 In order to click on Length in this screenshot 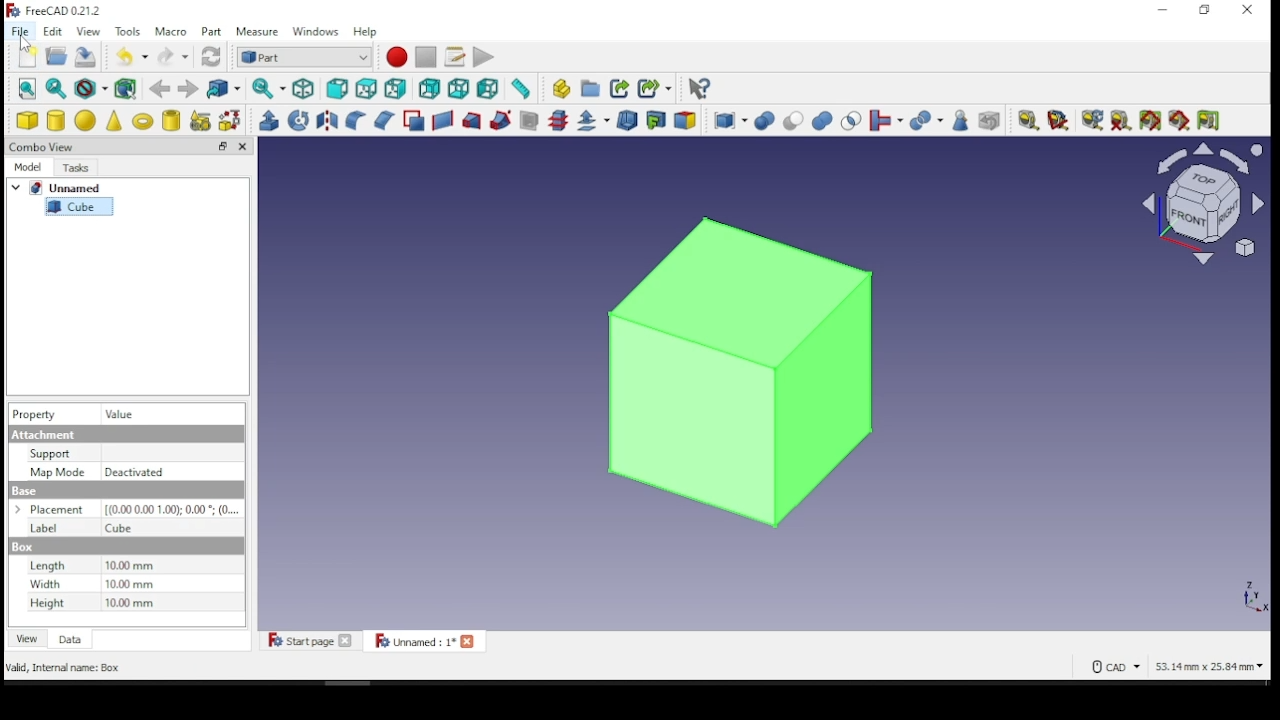, I will do `click(47, 565)`.